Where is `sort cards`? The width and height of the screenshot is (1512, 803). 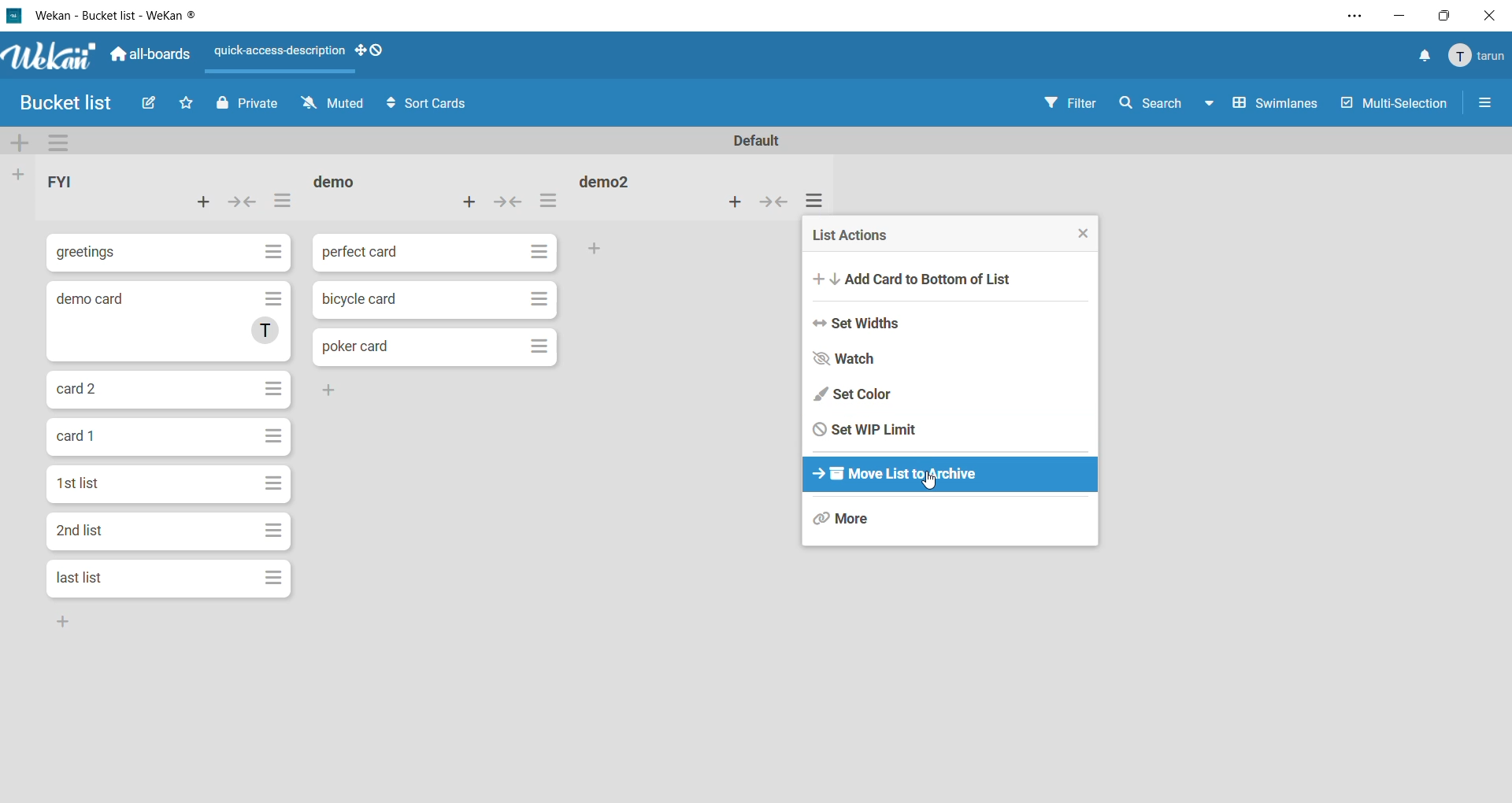 sort cards is located at coordinates (431, 105).